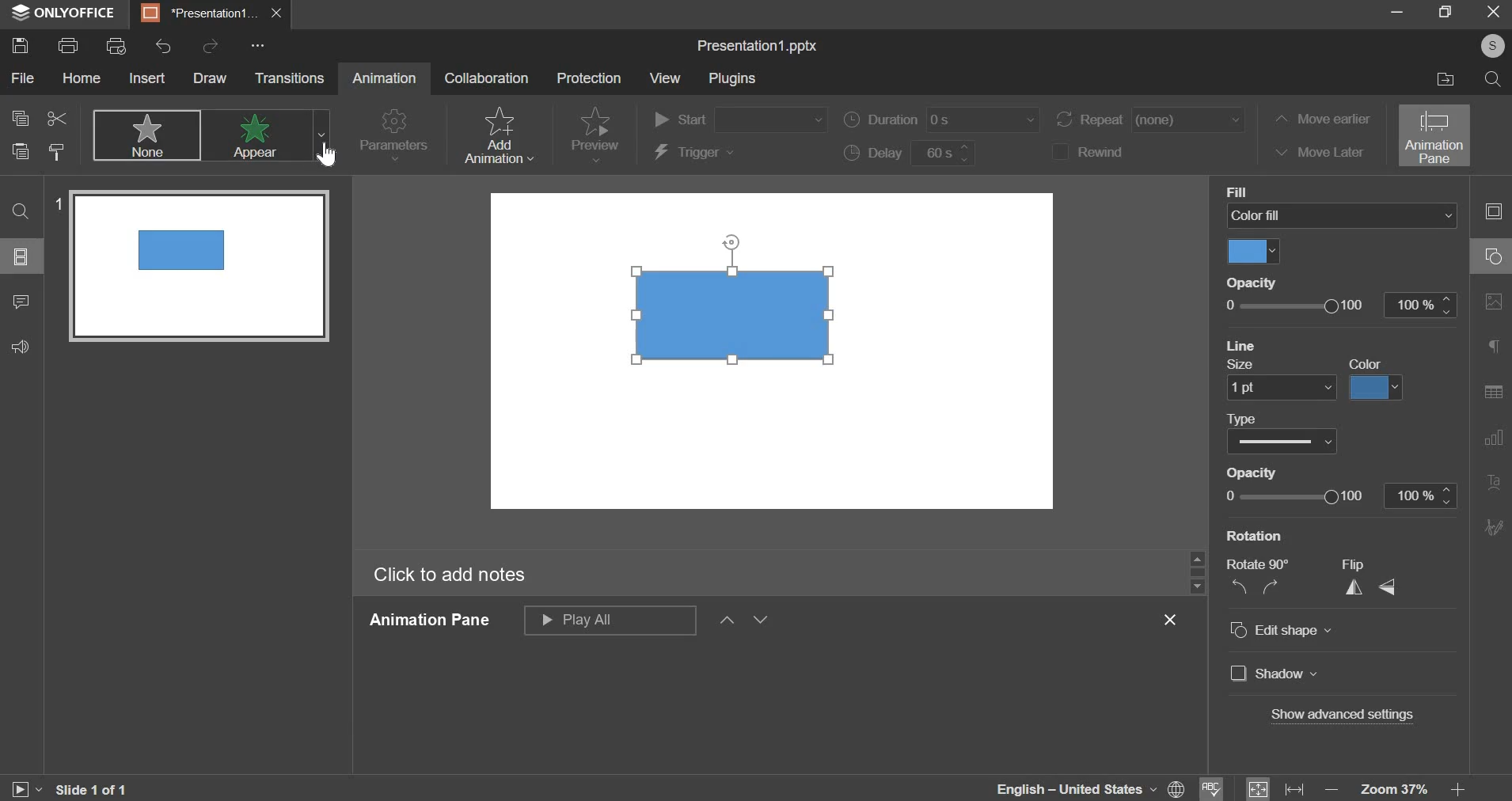  What do you see at coordinates (1494, 80) in the screenshot?
I see `find` at bounding box center [1494, 80].